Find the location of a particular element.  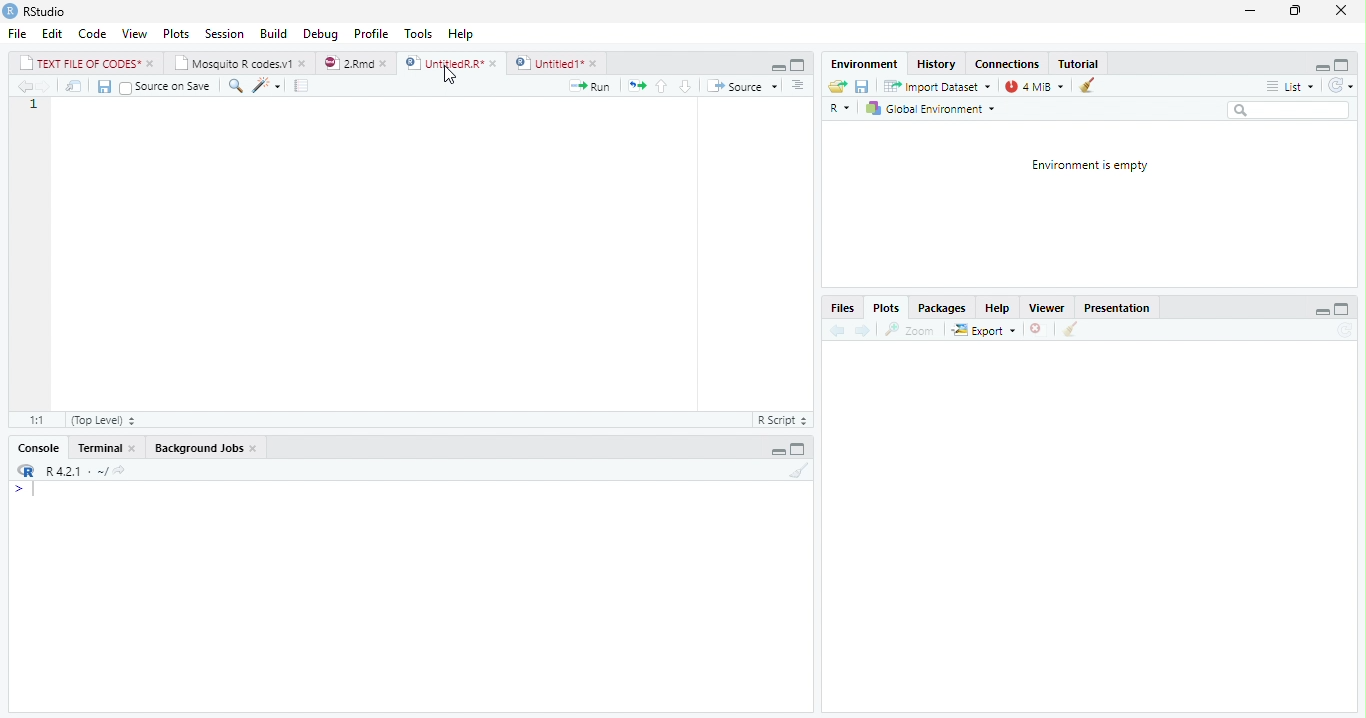

Packages is located at coordinates (939, 309).